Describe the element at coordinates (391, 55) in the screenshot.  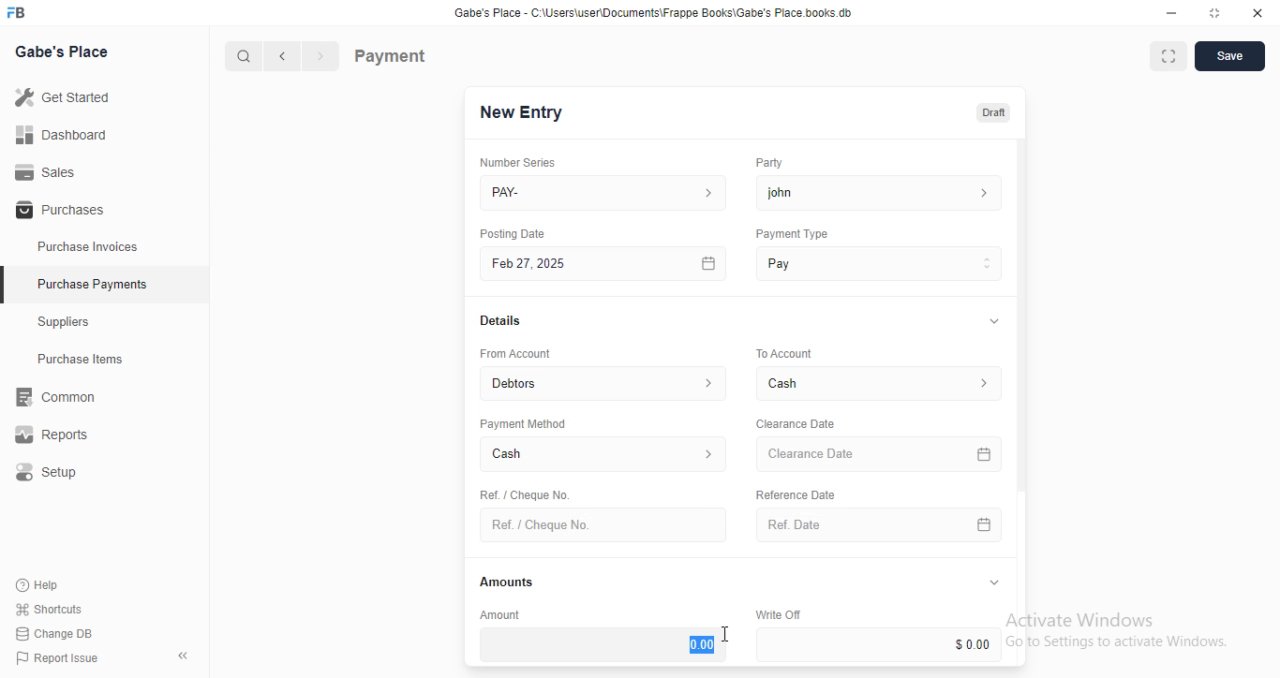
I see `Payment` at that location.